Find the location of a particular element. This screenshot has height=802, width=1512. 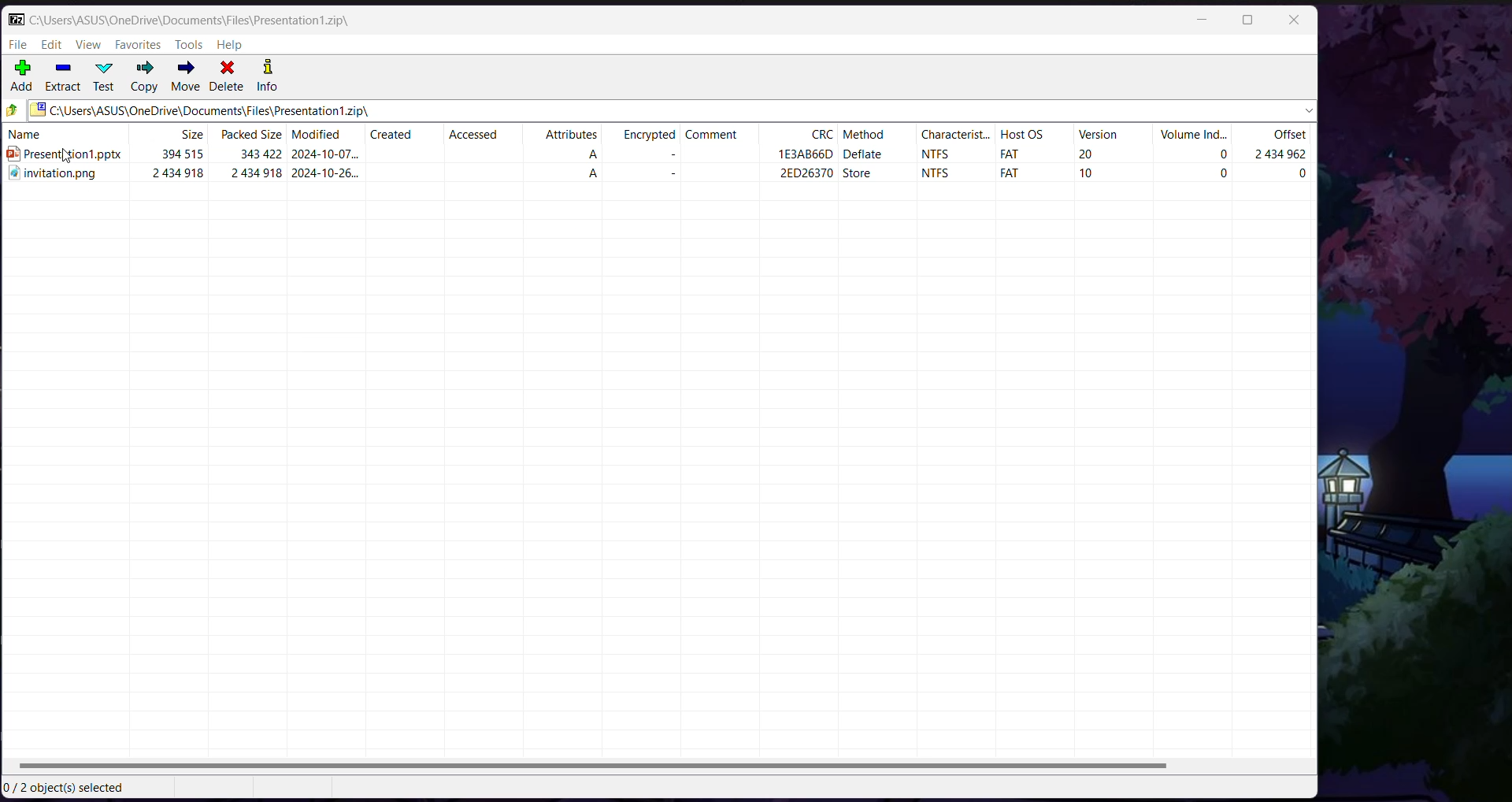

 presentation  1.pptx is located at coordinates (64, 155).